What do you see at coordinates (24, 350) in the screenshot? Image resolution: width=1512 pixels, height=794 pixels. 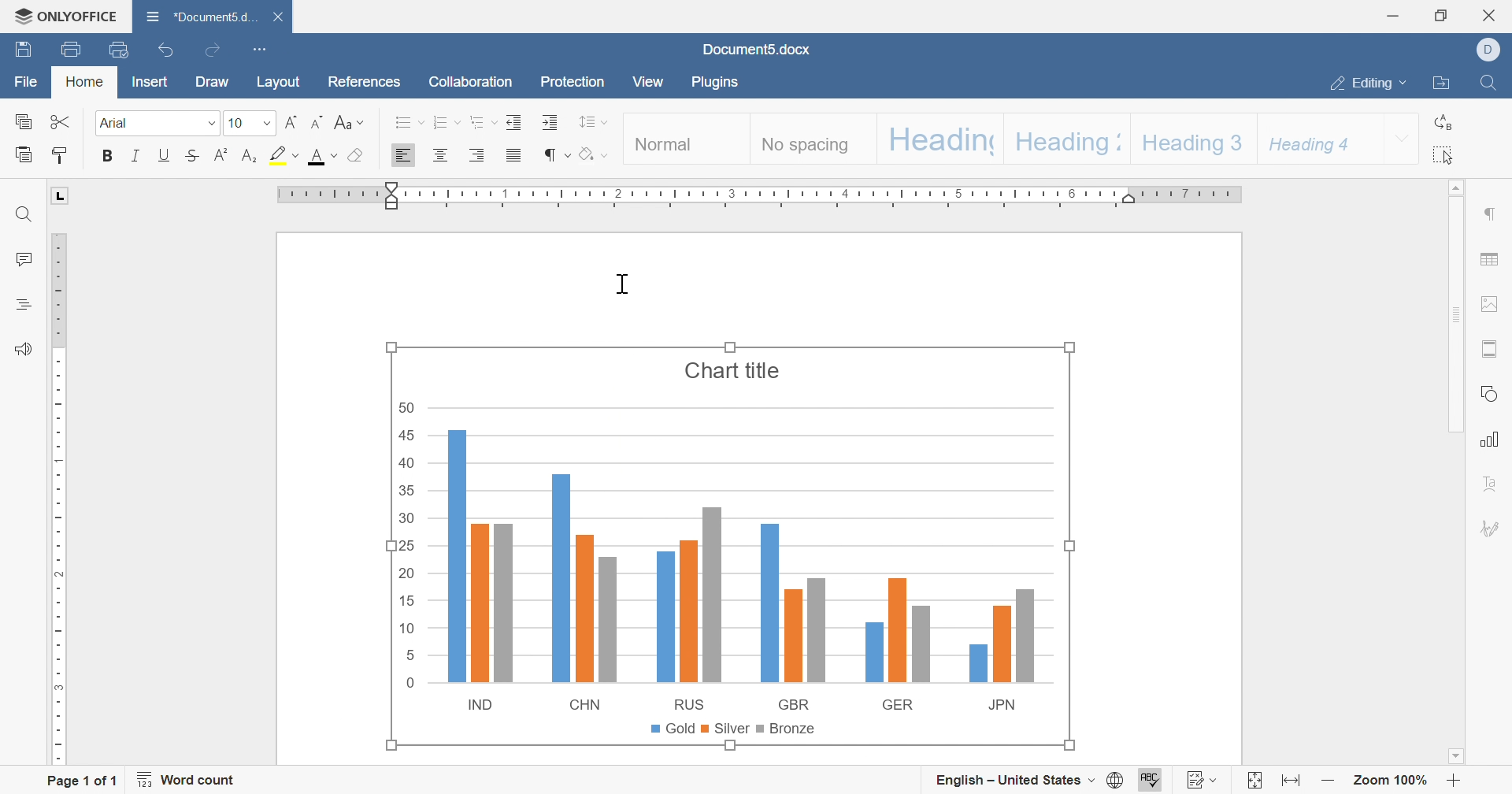 I see `feedback & support` at bounding box center [24, 350].